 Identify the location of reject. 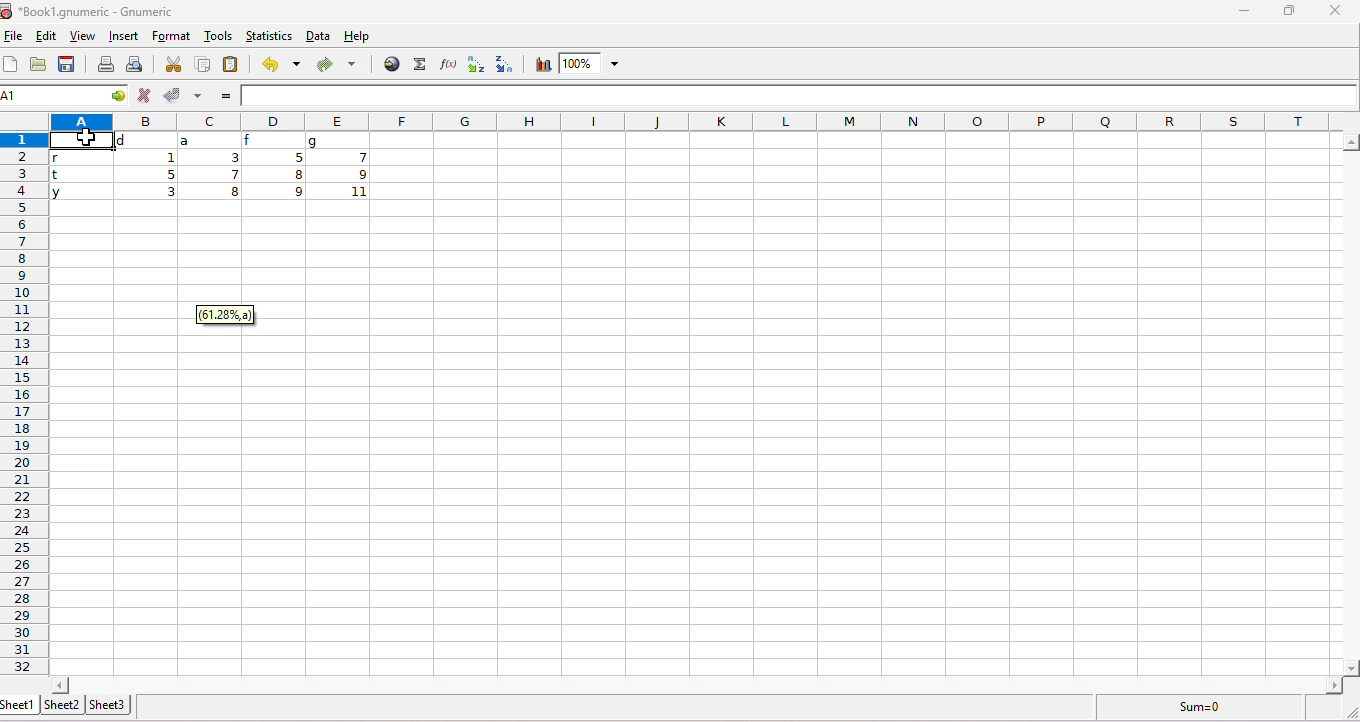
(143, 96).